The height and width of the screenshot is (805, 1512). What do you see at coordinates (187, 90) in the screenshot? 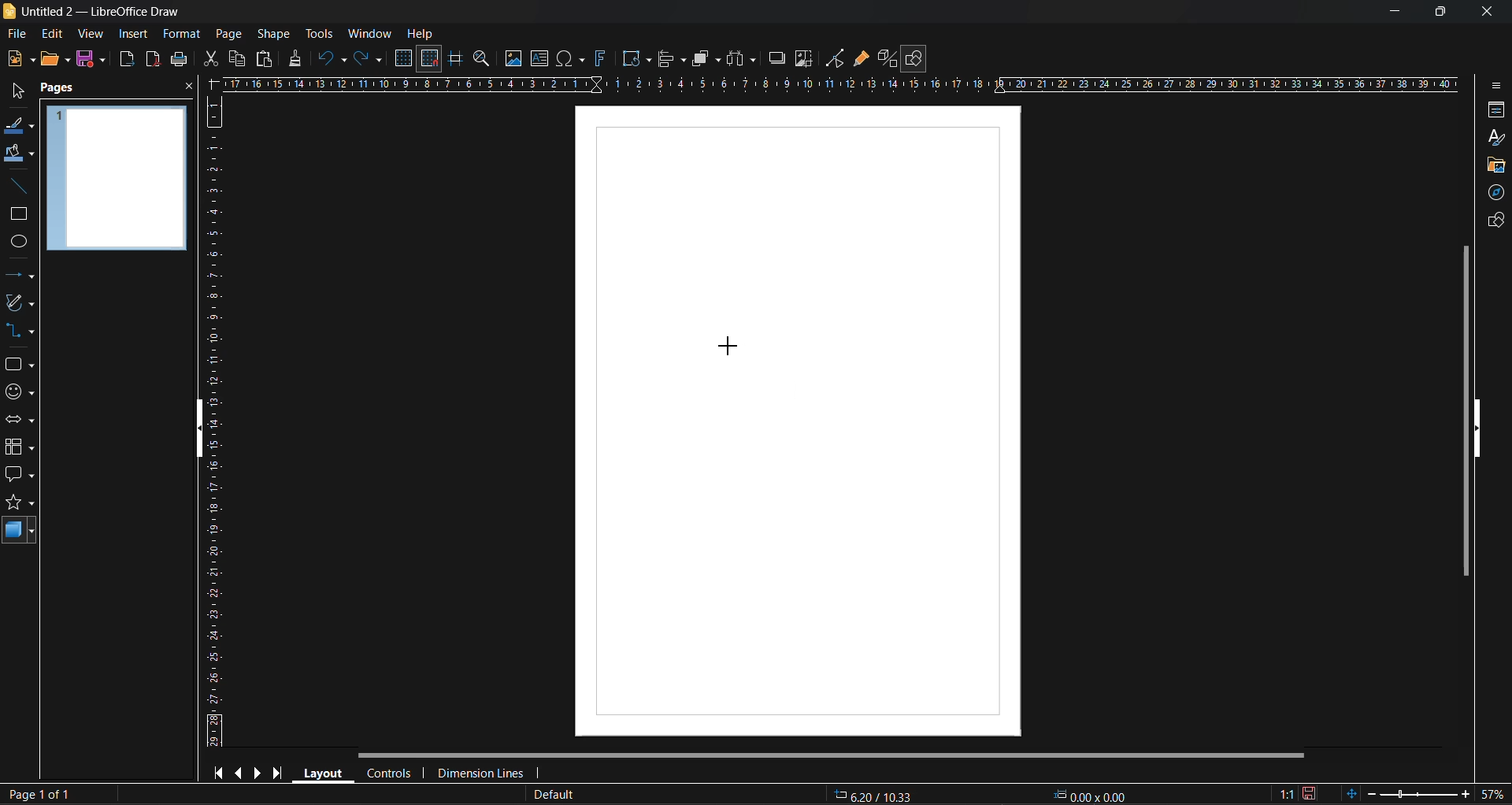
I see `close` at bounding box center [187, 90].